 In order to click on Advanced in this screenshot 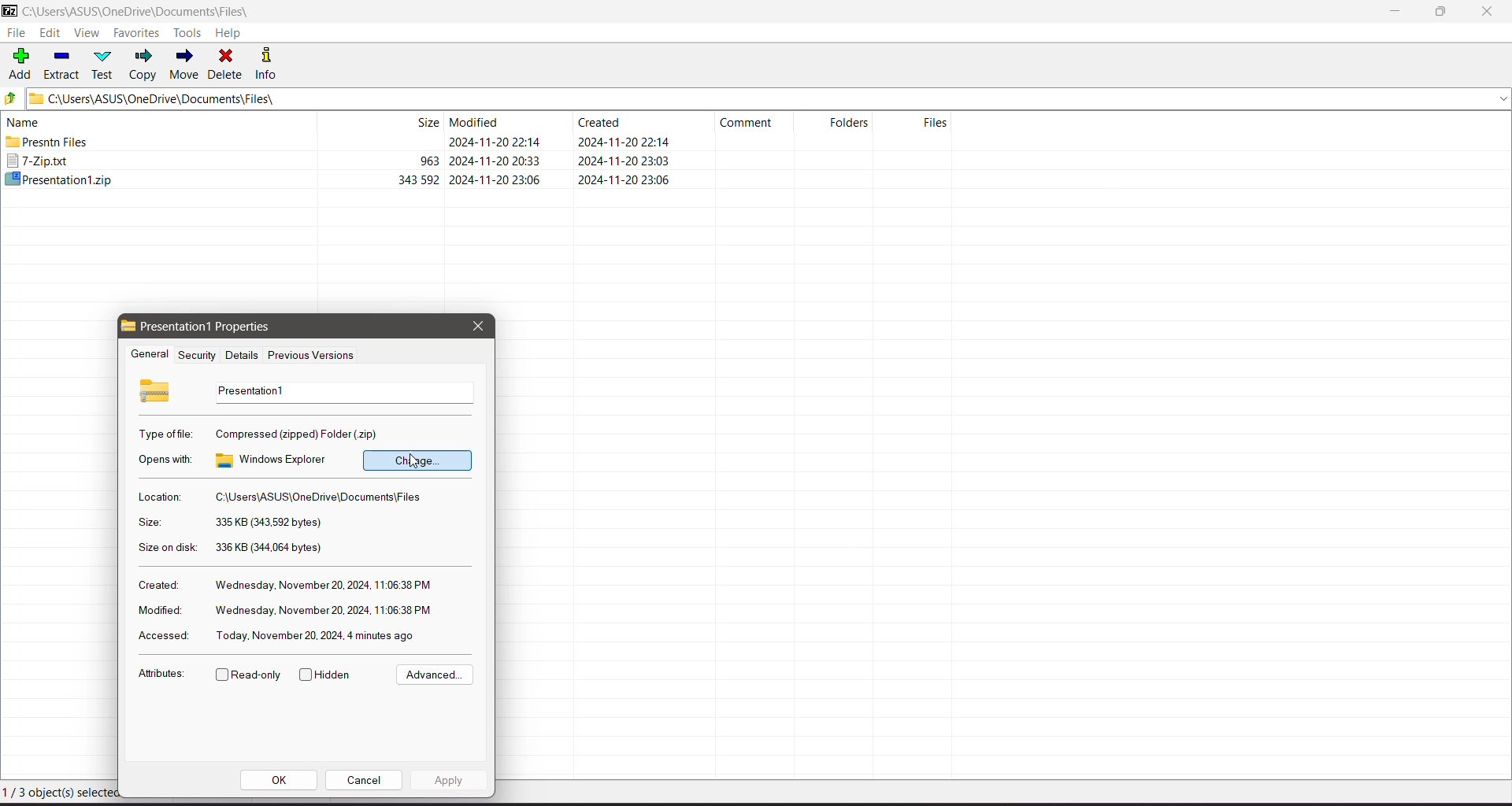, I will do `click(432, 675)`.